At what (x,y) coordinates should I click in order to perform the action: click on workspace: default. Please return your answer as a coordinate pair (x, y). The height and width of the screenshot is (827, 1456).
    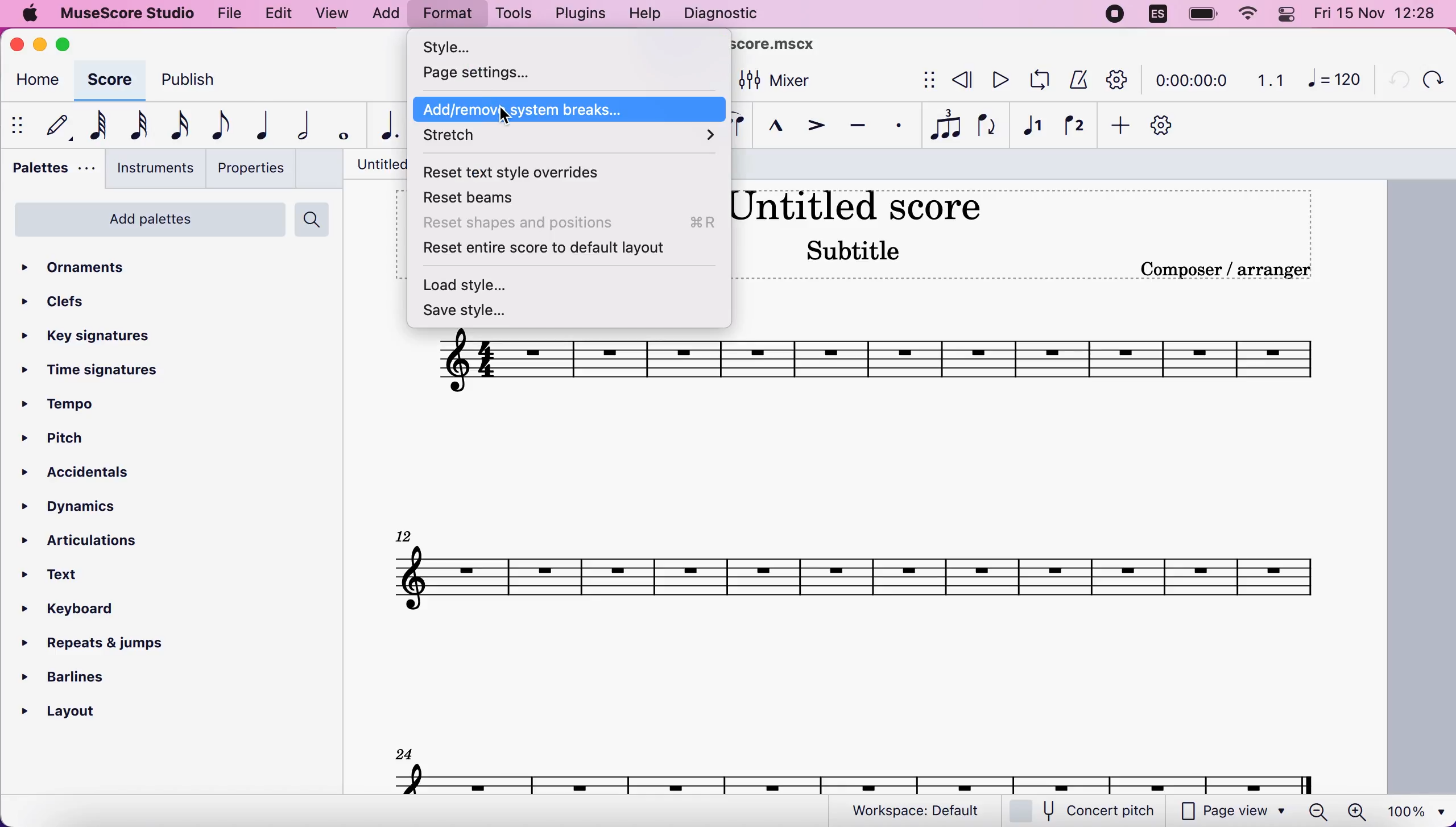
    Looking at the image, I should click on (921, 811).